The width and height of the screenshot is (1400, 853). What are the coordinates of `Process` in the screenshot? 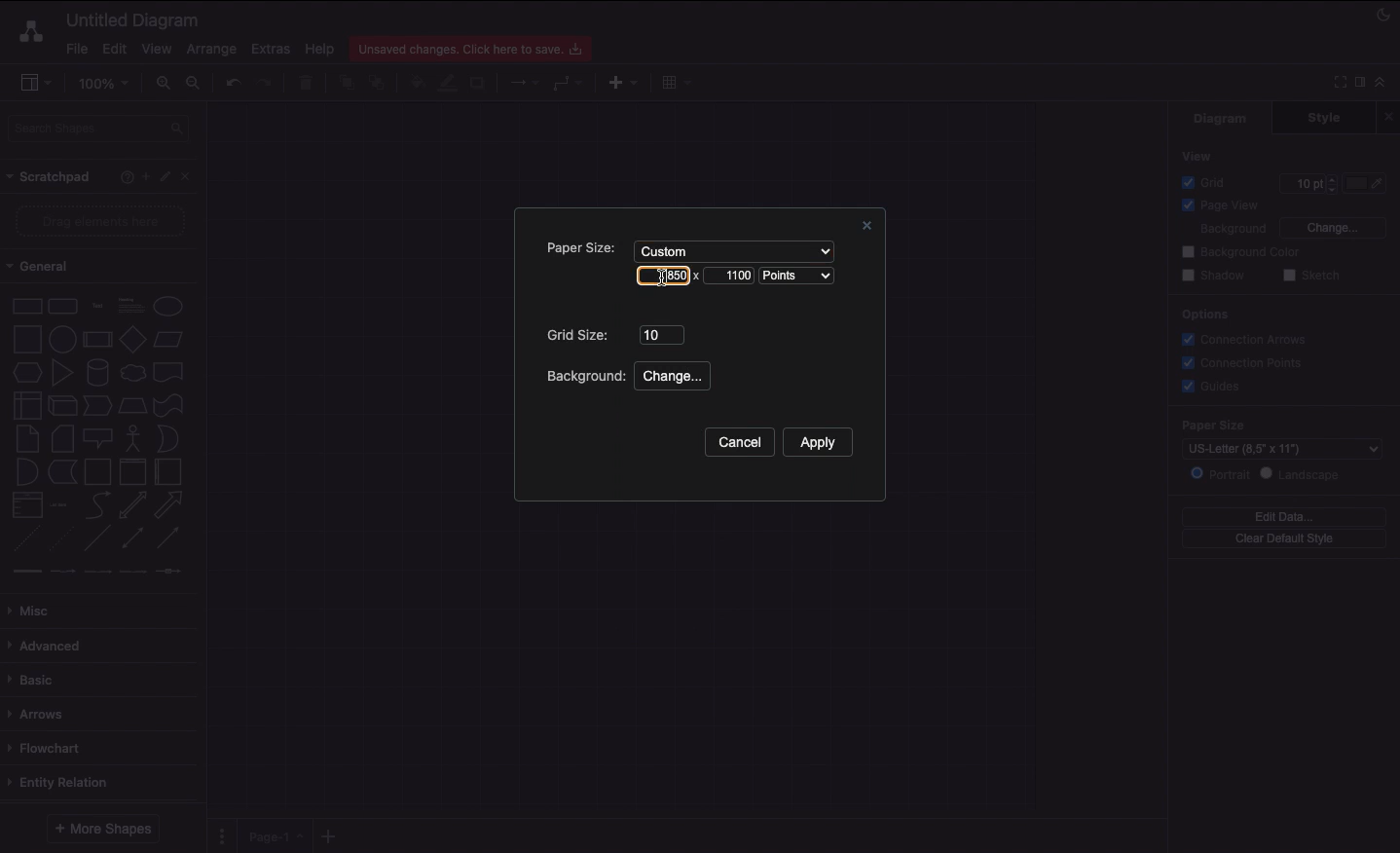 It's located at (95, 341).